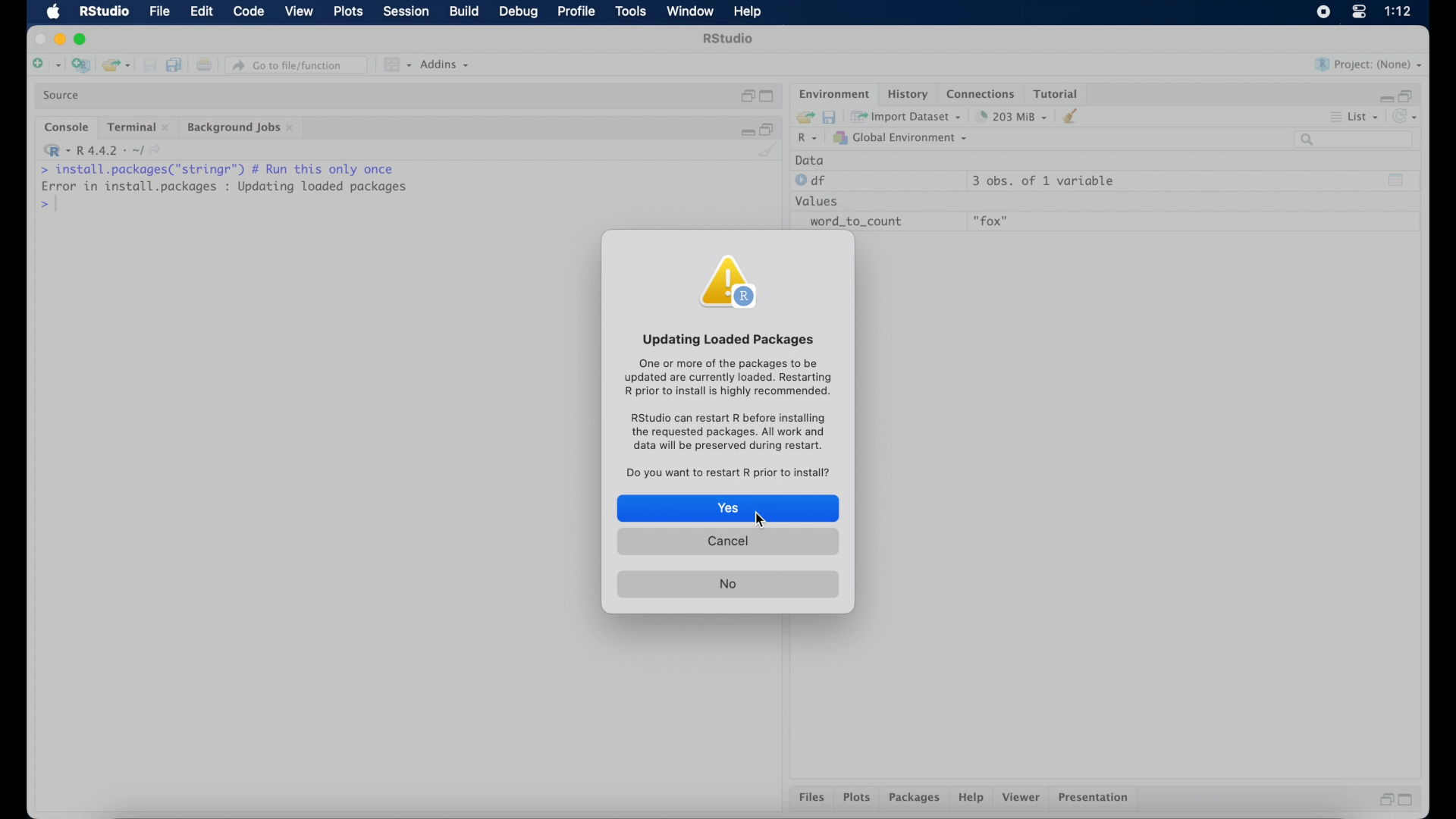 The image size is (1456, 819). Describe the element at coordinates (1050, 180) in the screenshot. I see `3 obs, of 1 variable` at that location.